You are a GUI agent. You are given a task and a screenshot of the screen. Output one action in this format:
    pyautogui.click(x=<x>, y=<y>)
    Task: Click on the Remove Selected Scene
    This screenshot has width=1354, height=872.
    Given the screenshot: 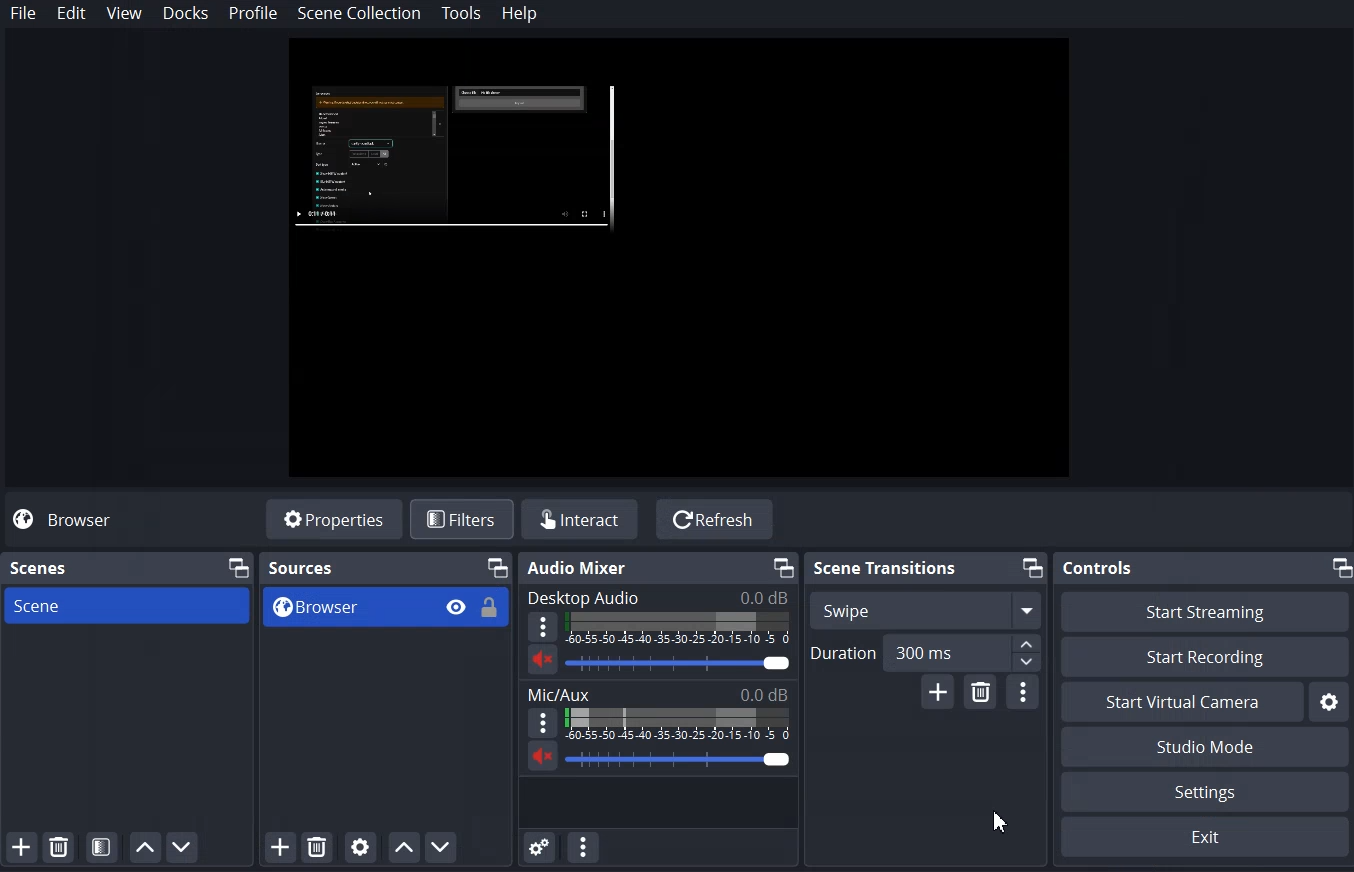 What is the action you would take?
    pyautogui.click(x=58, y=846)
    